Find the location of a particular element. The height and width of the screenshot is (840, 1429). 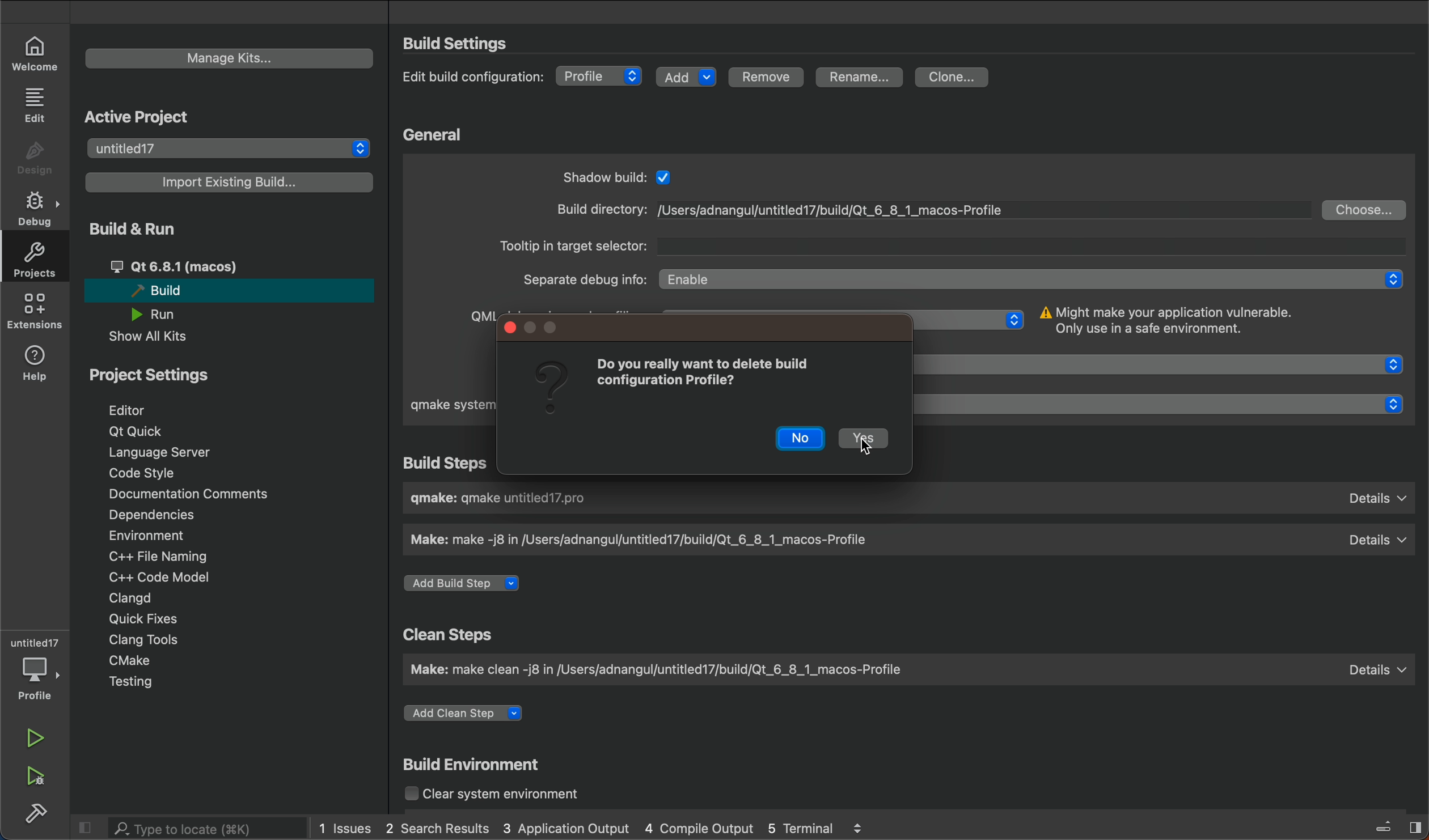

help is located at coordinates (35, 362).